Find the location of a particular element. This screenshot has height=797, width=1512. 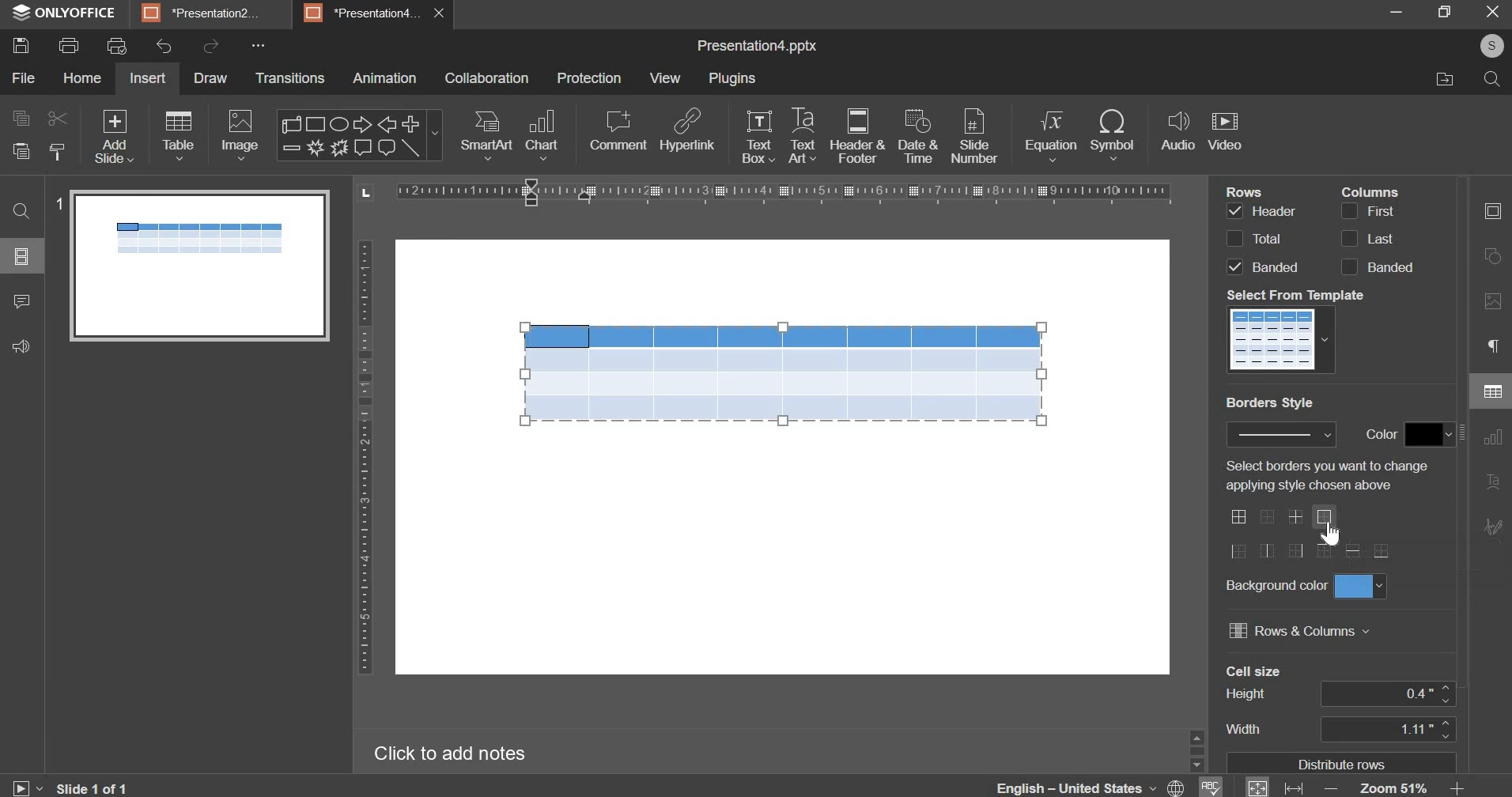

presentation name is located at coordinates (758, 47).